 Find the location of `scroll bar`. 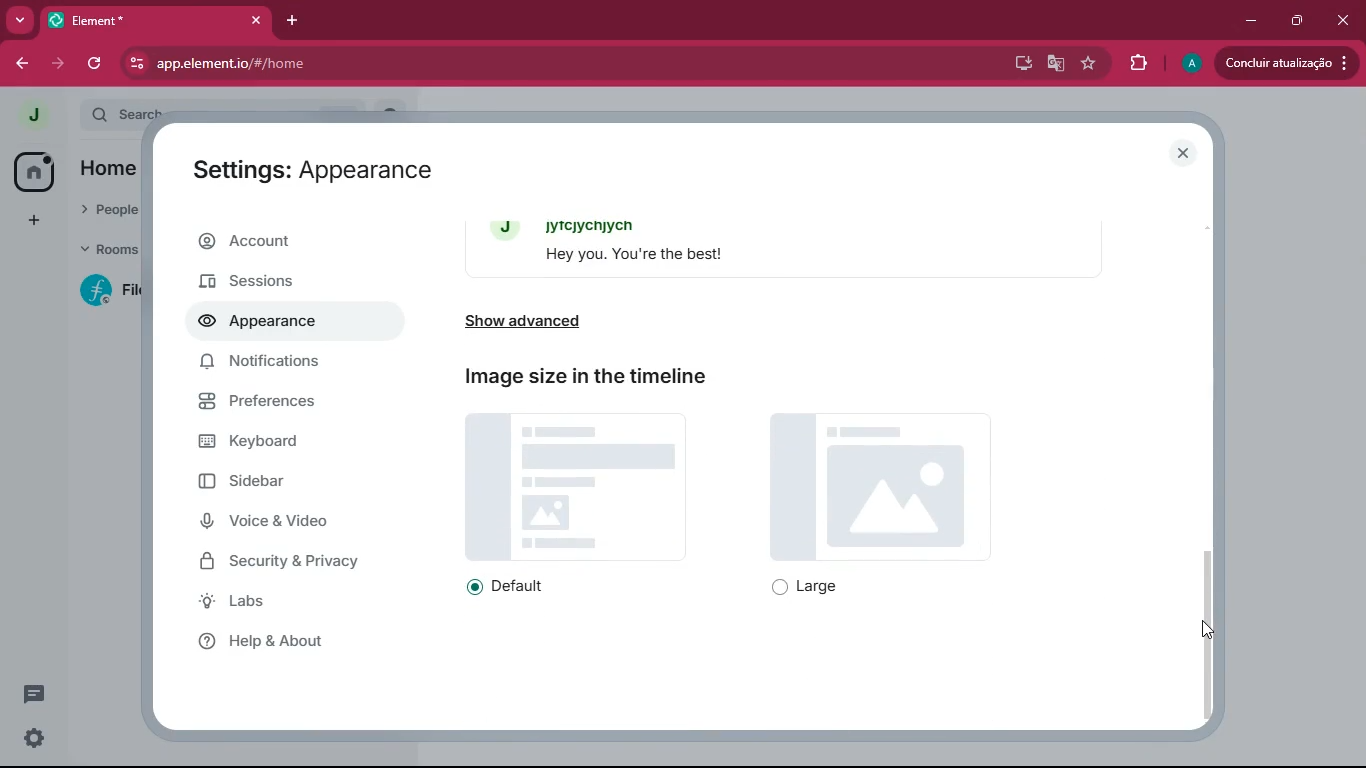

scroll bar is located at coordinates (1209, 623).